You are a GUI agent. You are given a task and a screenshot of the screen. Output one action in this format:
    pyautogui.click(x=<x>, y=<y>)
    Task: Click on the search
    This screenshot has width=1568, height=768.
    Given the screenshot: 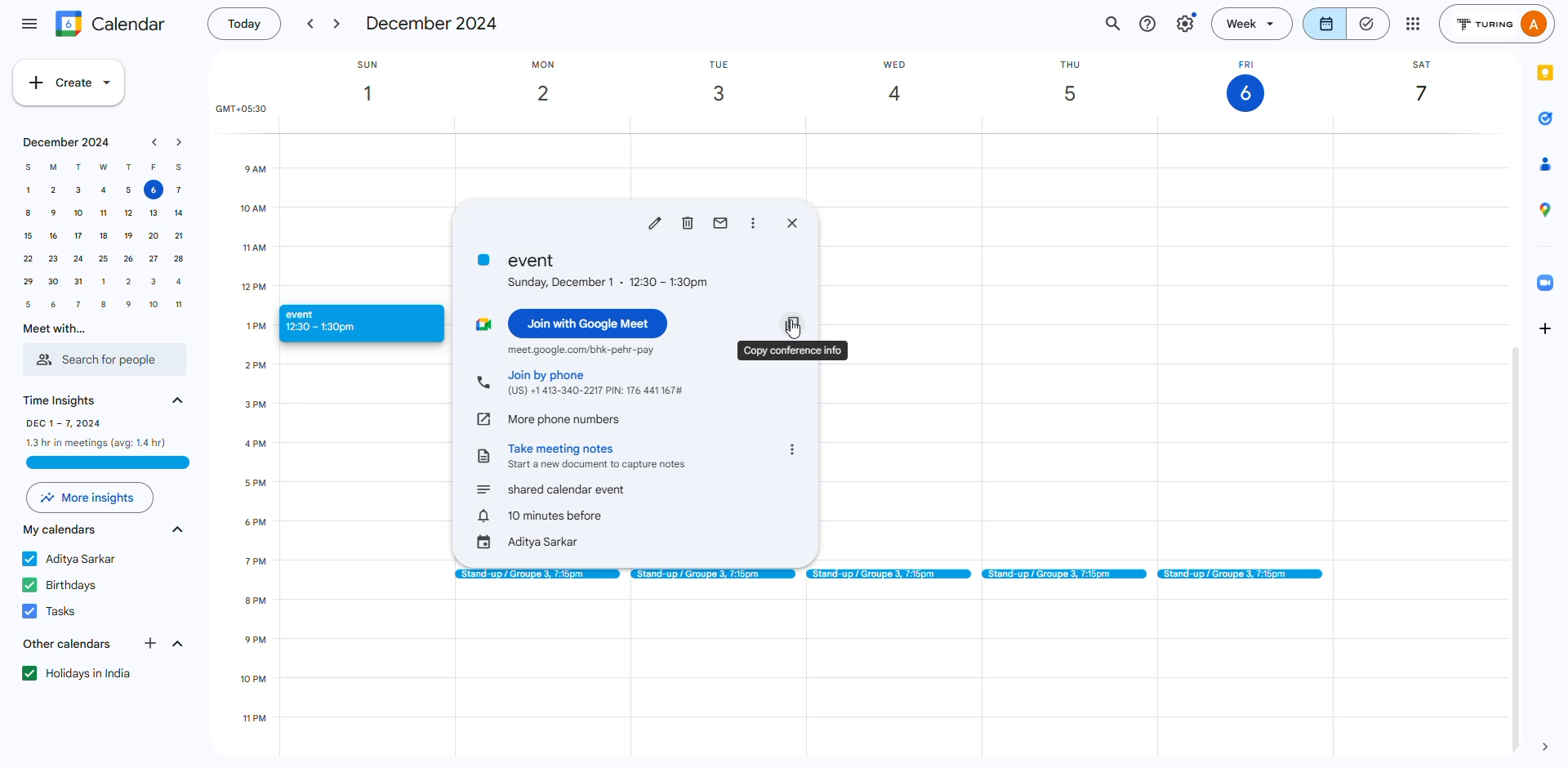 What is the action you would take?
    pyautogui.click(x=1115, y=23)
    